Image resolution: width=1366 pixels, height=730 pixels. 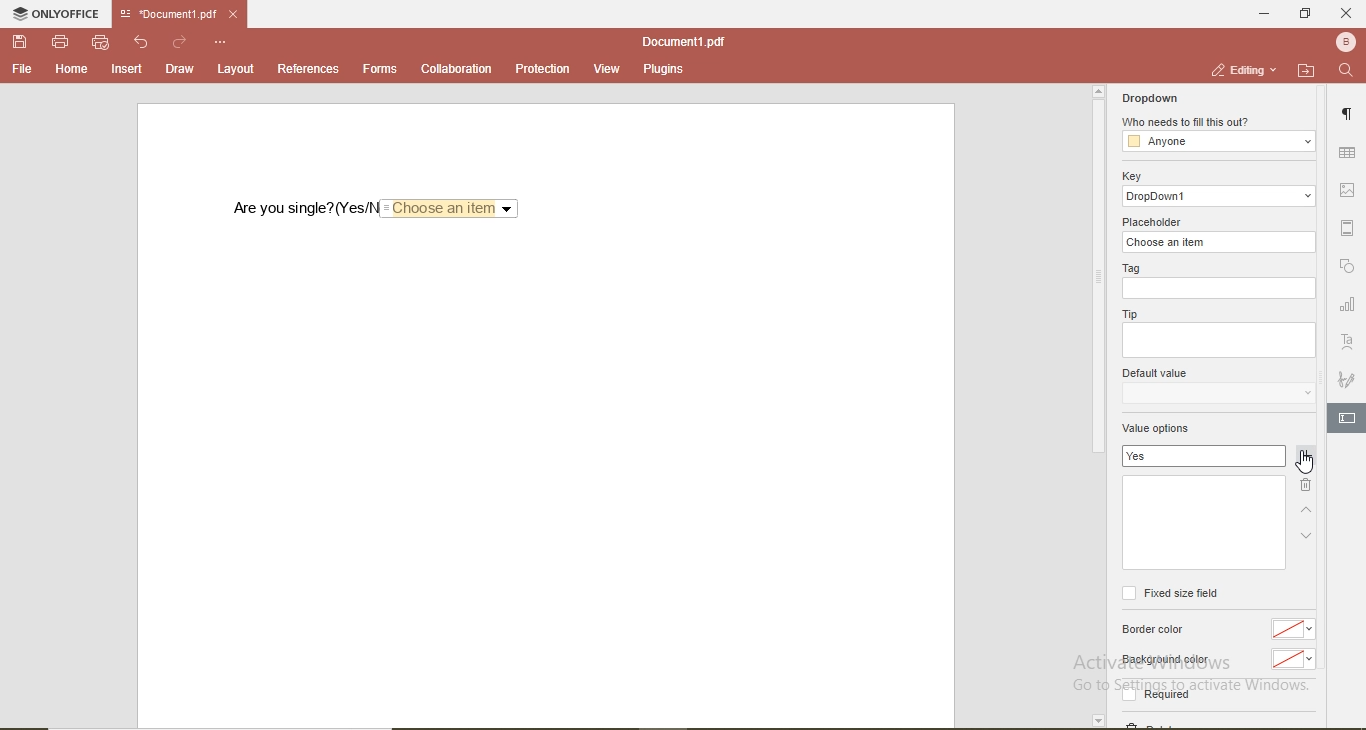 What do you see at coordinates (179, 69) in the screenshot?
I see `draw` at bounding box center [179, 69].